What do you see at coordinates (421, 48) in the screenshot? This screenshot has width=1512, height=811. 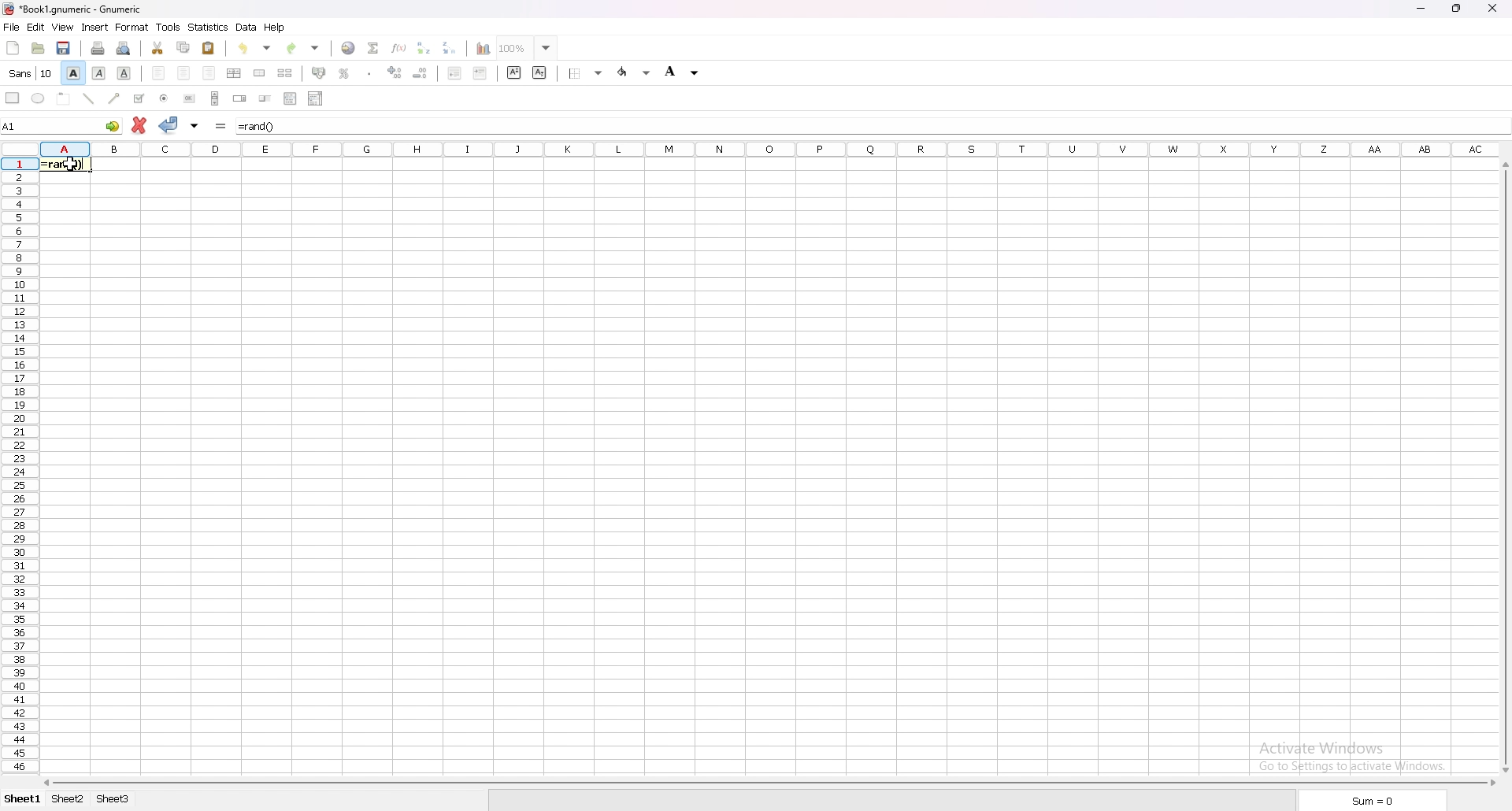 I see `sort ascending` at bounding box center [421, 48].